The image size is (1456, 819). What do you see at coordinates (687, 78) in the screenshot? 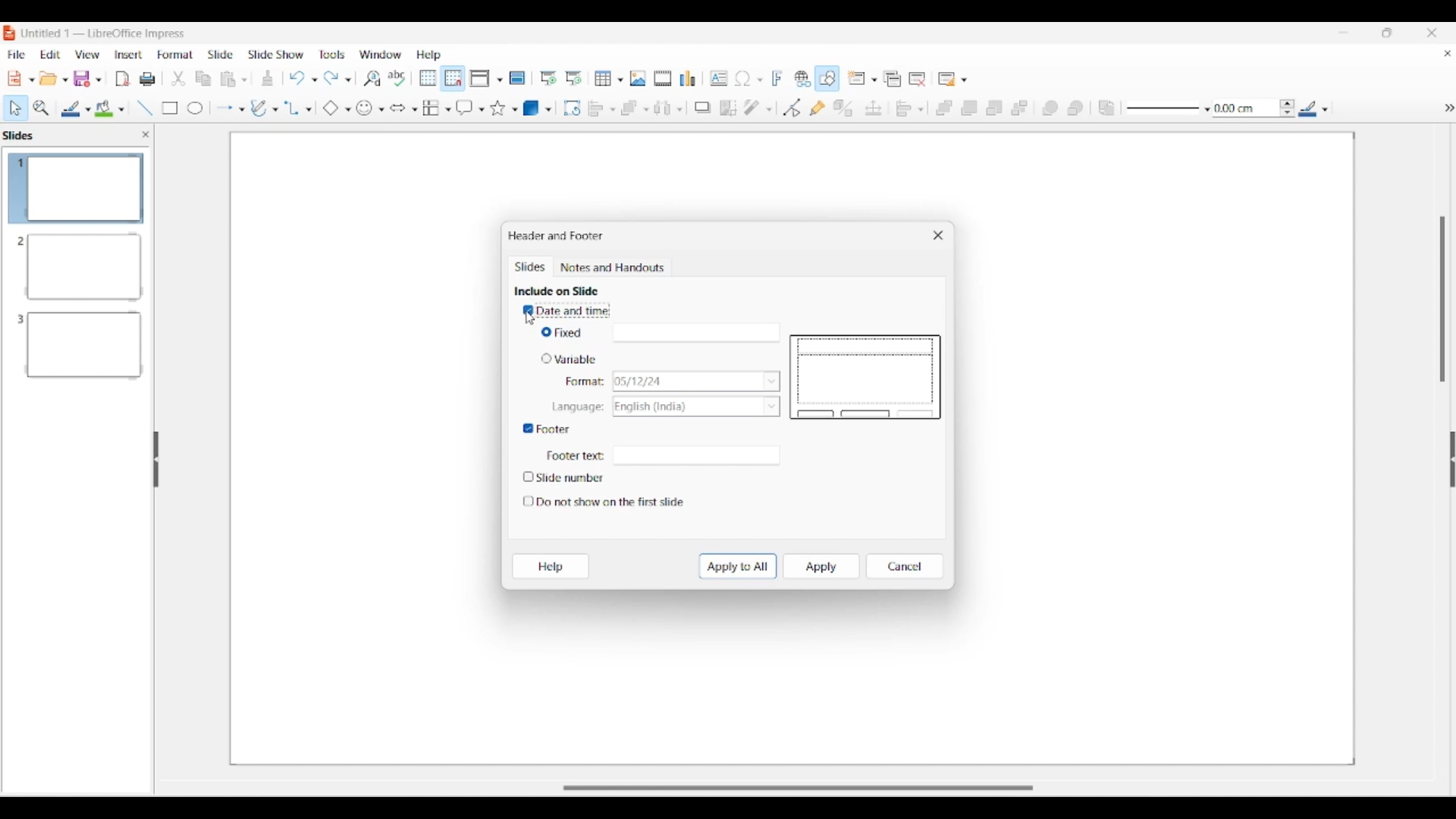
I see `Insert chart` at bounding box center [687, 78].